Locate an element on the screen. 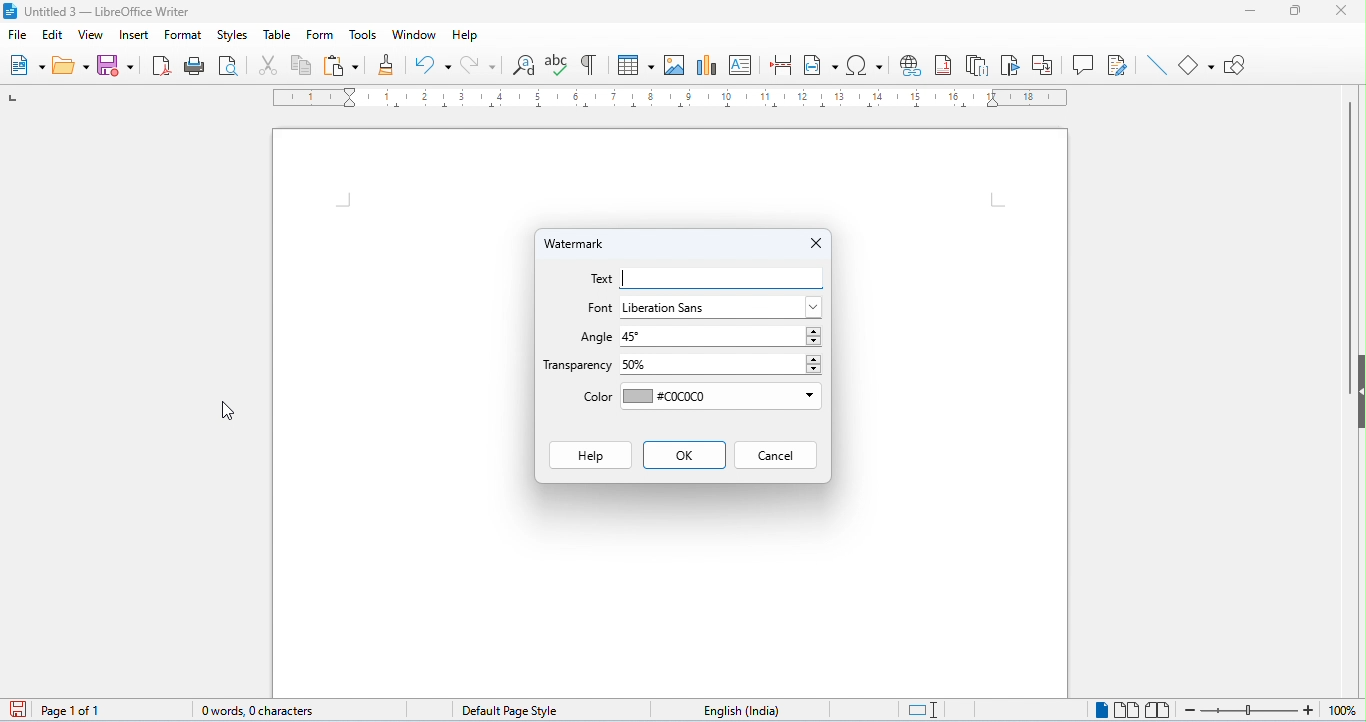  insert image is located at coordinates (677, 65).